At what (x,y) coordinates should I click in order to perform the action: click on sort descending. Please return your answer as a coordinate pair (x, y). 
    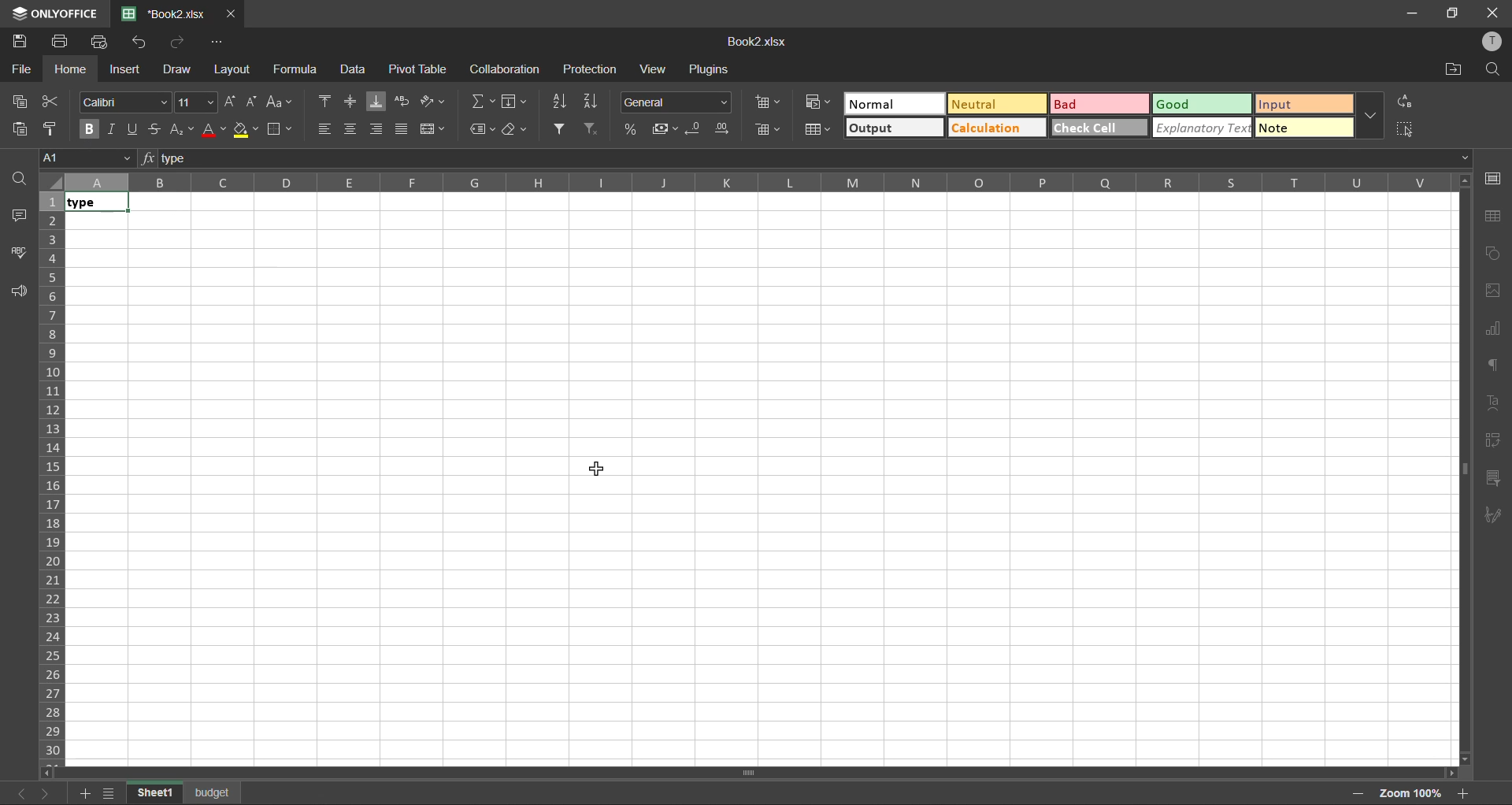
    Looking at the image, I should click on (592, 101).